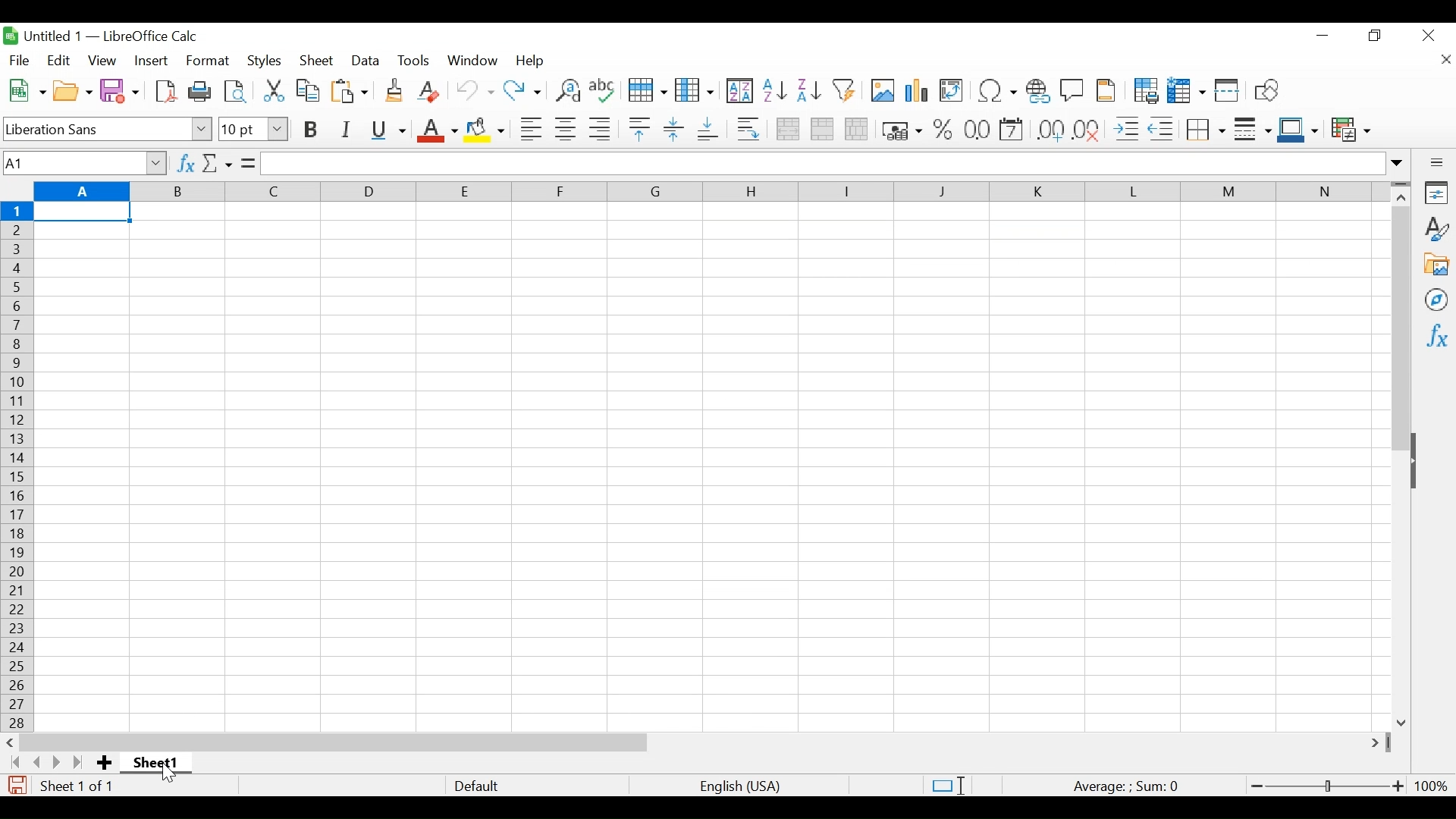 The image size is (1456, 819). I want to click on Print, so click(199, 89).